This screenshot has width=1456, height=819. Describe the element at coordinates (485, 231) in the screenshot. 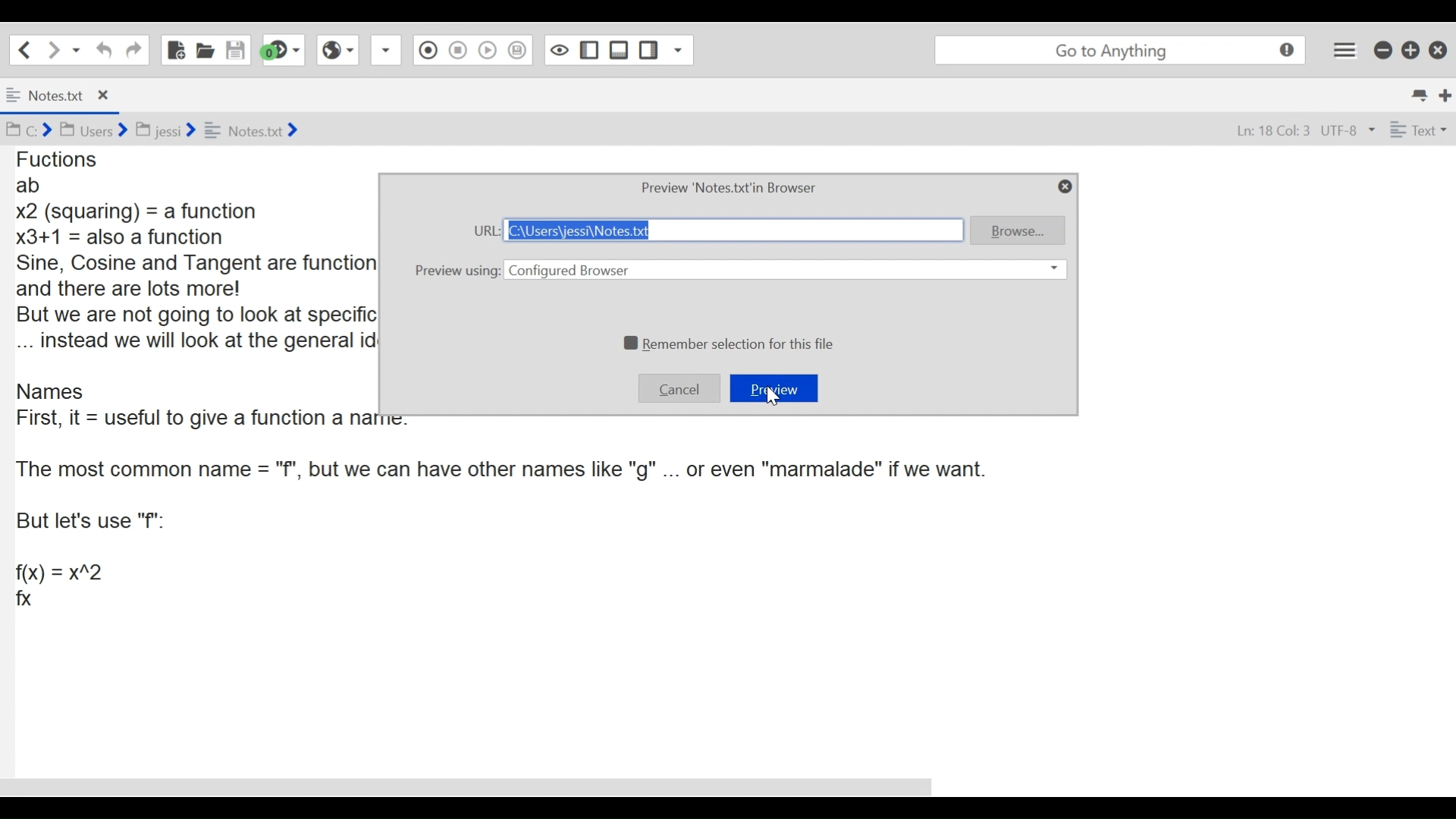

I see `URL:` at that location.